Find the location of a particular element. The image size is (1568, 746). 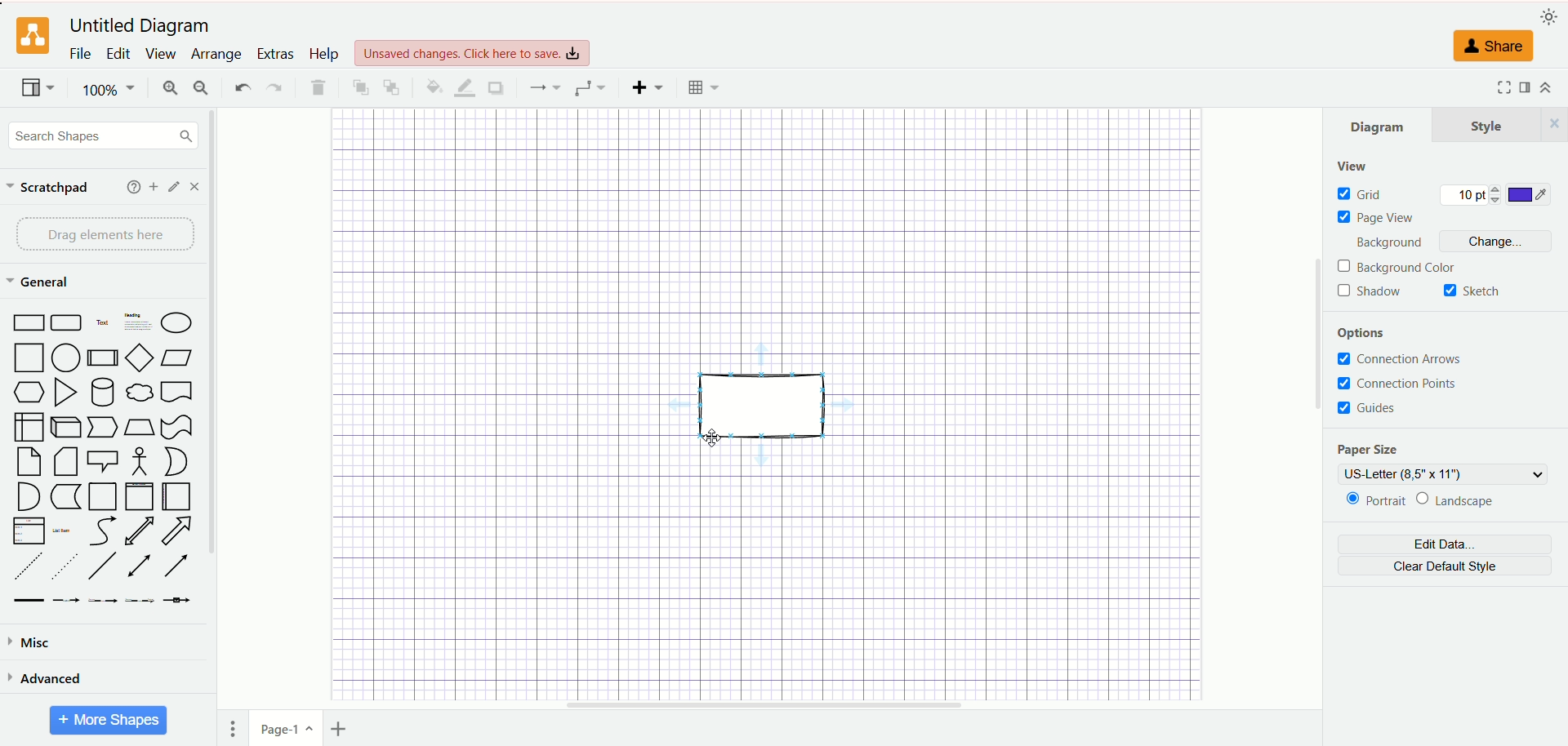

sketch is located at coordinates (1476, 291).